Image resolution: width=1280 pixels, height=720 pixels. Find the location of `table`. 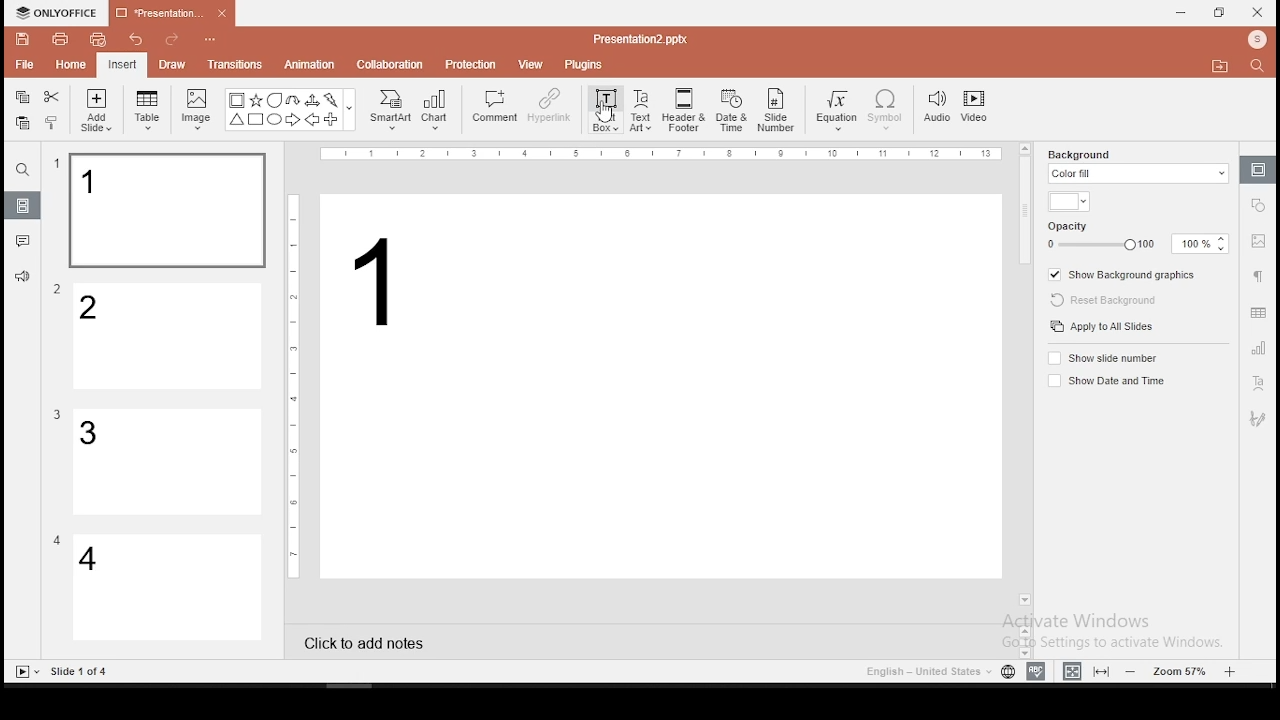

table is located at coordinates (150, 111).